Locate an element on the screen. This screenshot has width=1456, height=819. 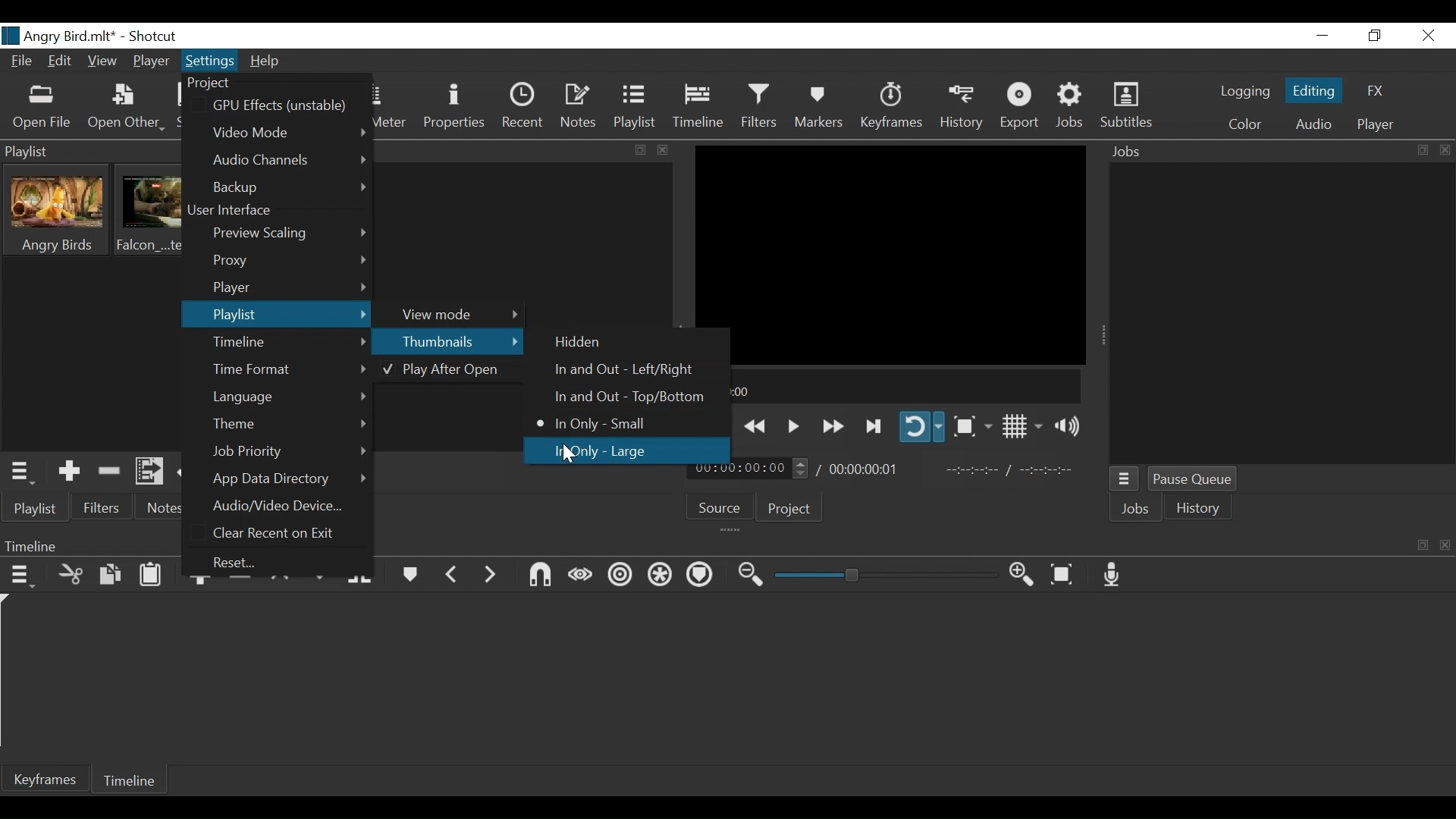
Copy is located at coordinates (111, 577).